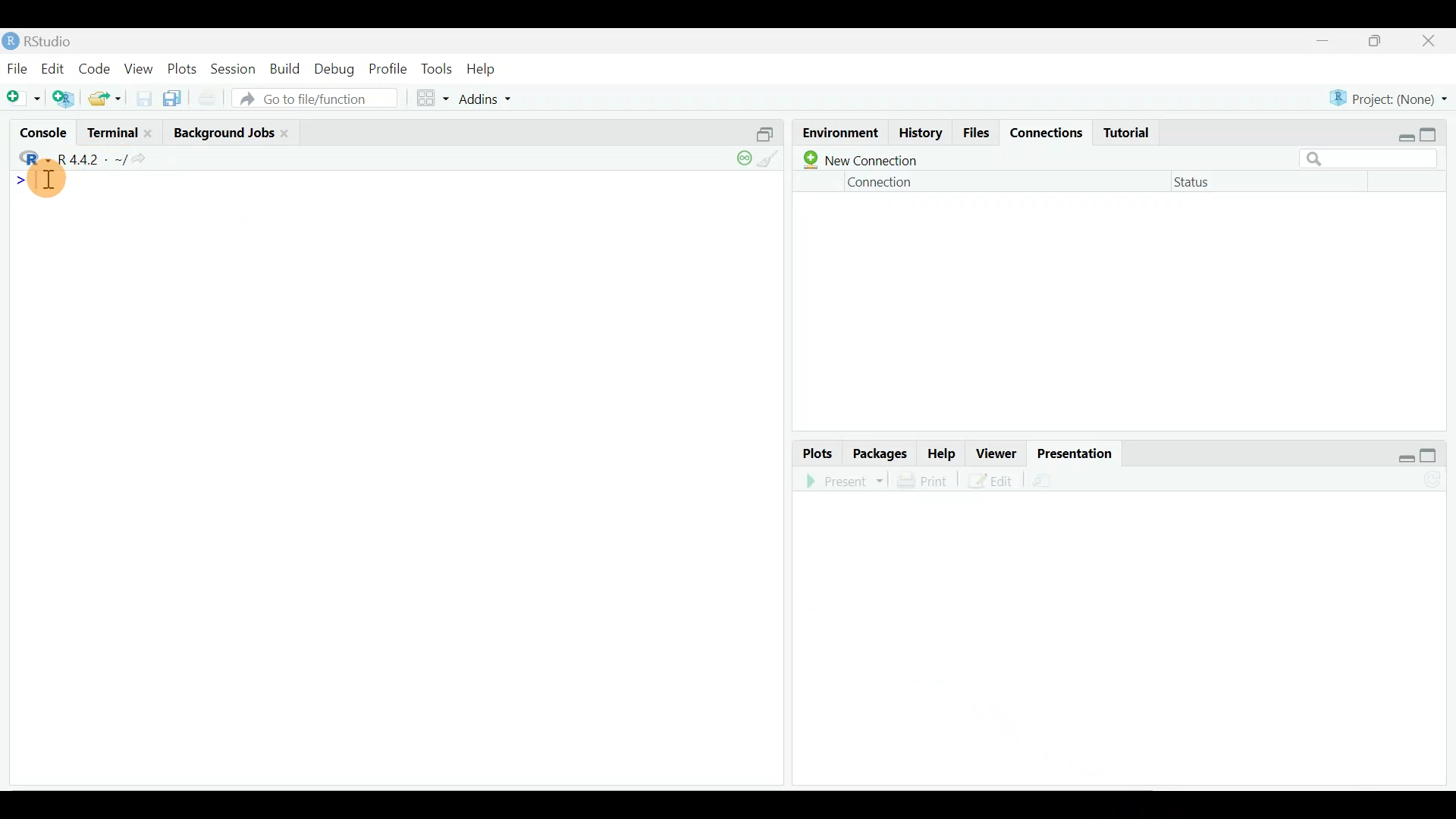 The height and width of the screenshot is (819, 1456). What do you see at coordinates (67, 98) in the screenshot?
I see `Create a project` at bounding box center [67, 98].